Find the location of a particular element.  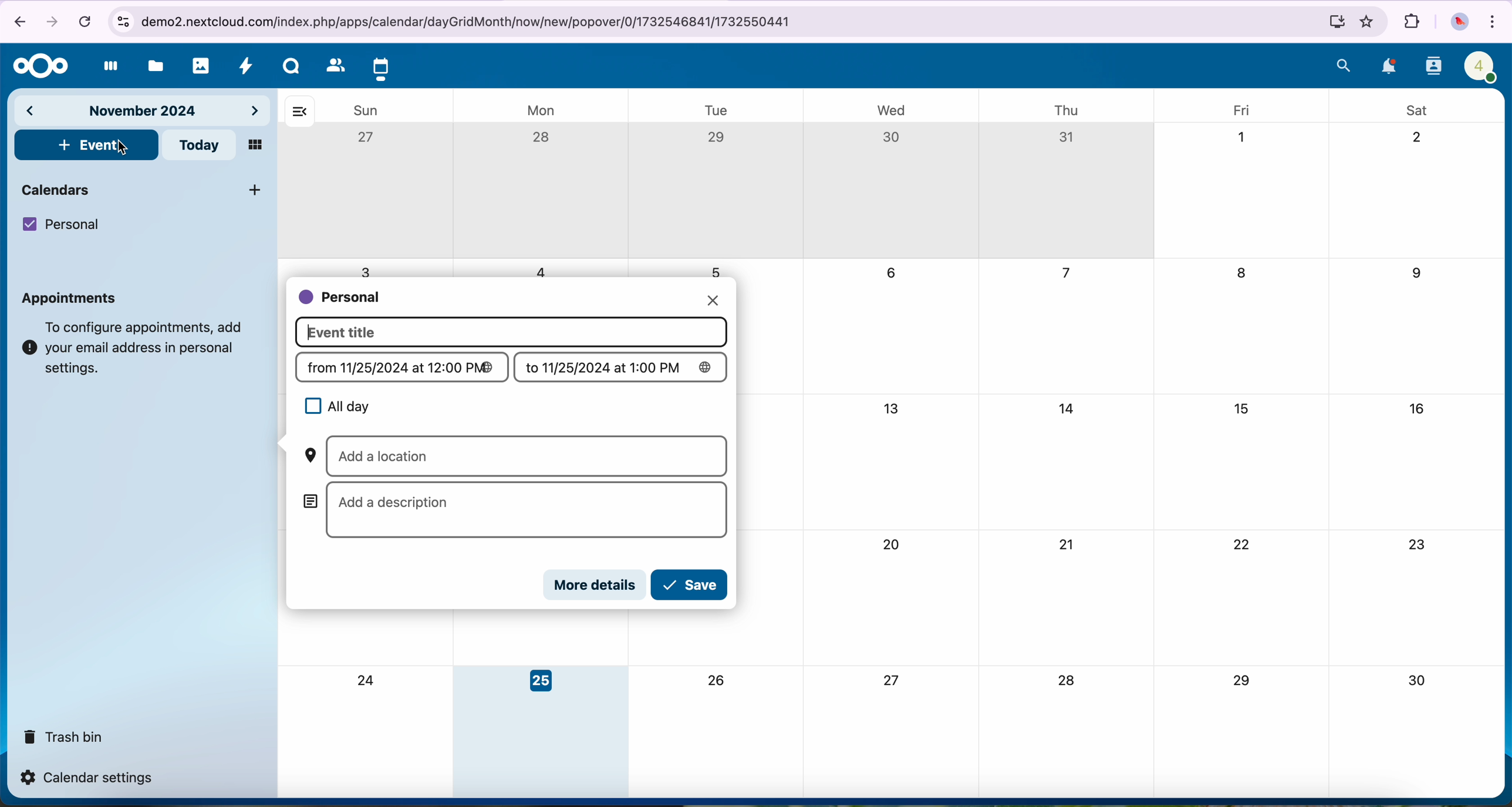

27 is located at coordinates (894, 680).